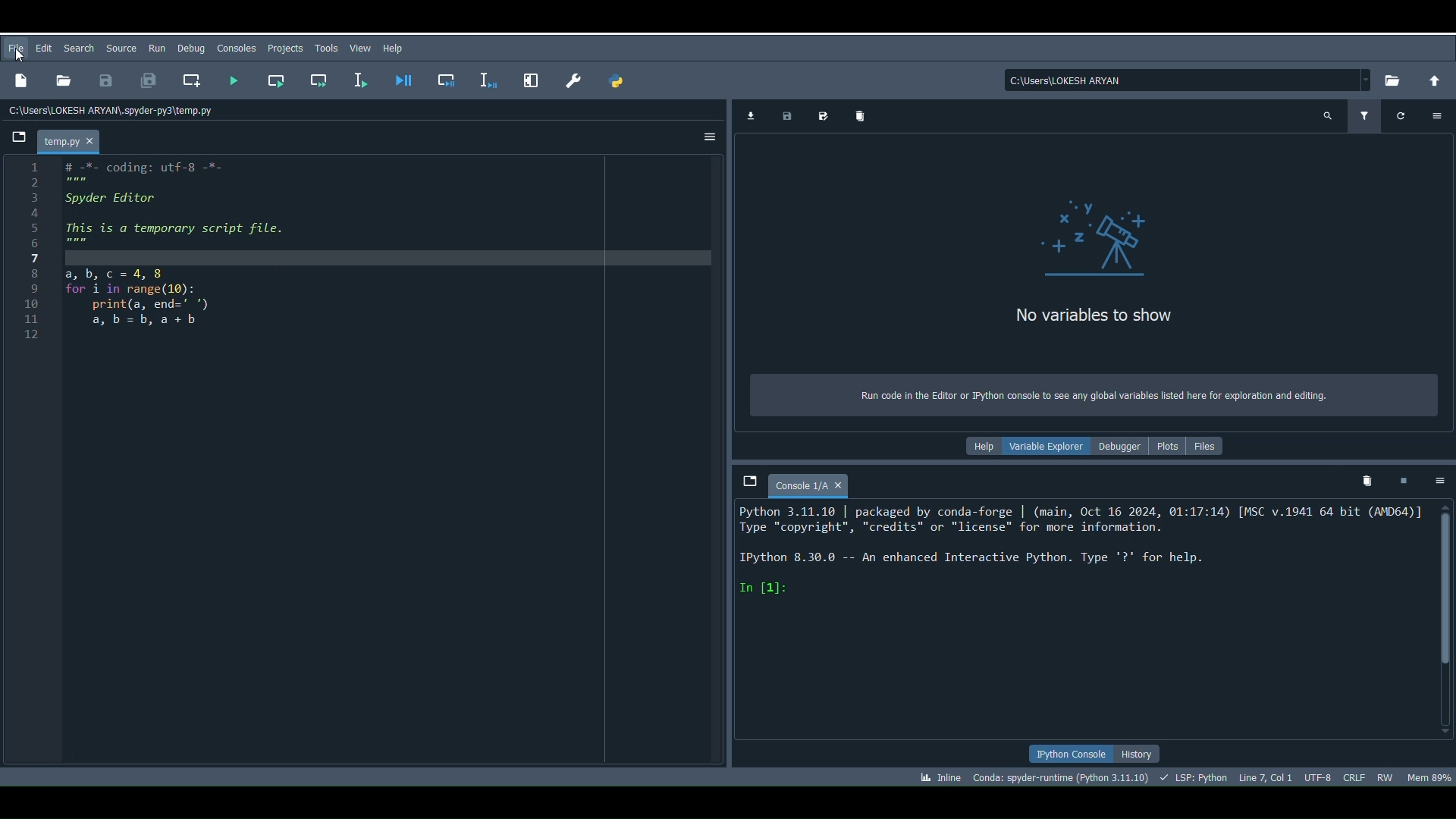 The image size is (1456, 819). I want to click on Projects, so click(286, 49).